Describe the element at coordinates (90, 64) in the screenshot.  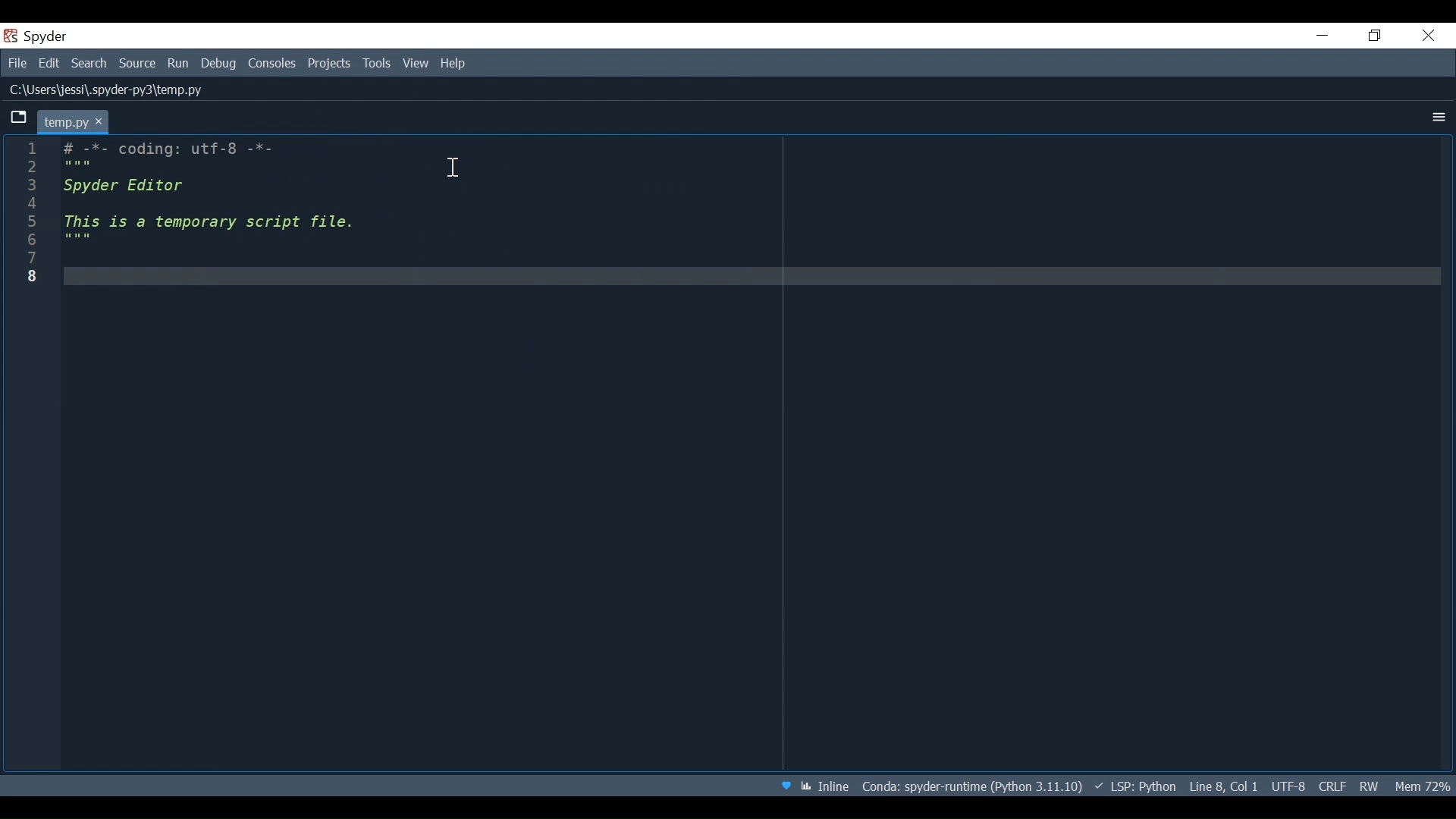
I see `Search` at that location.